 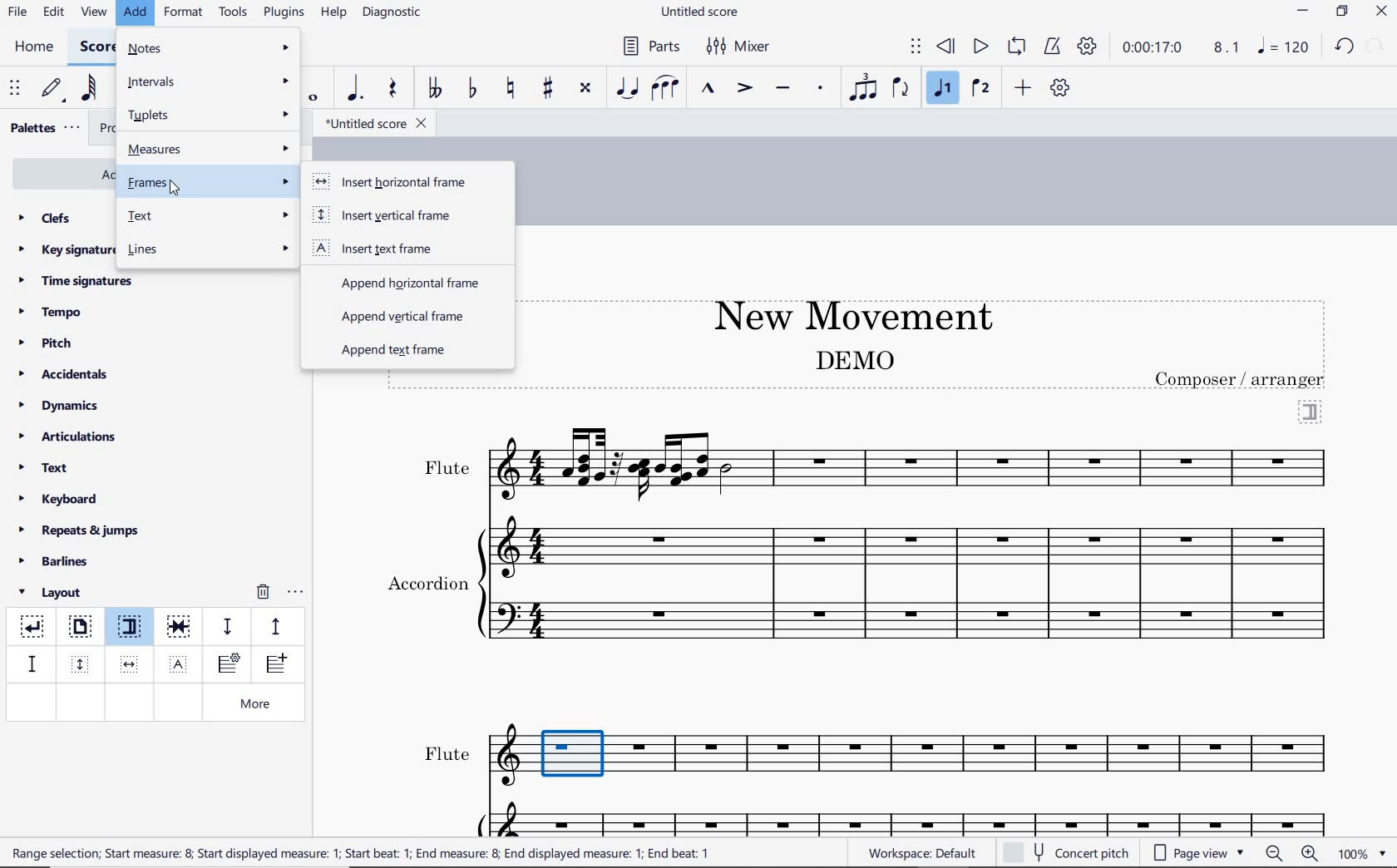 I want to click on toggle natural, so click(x=512, y=89).